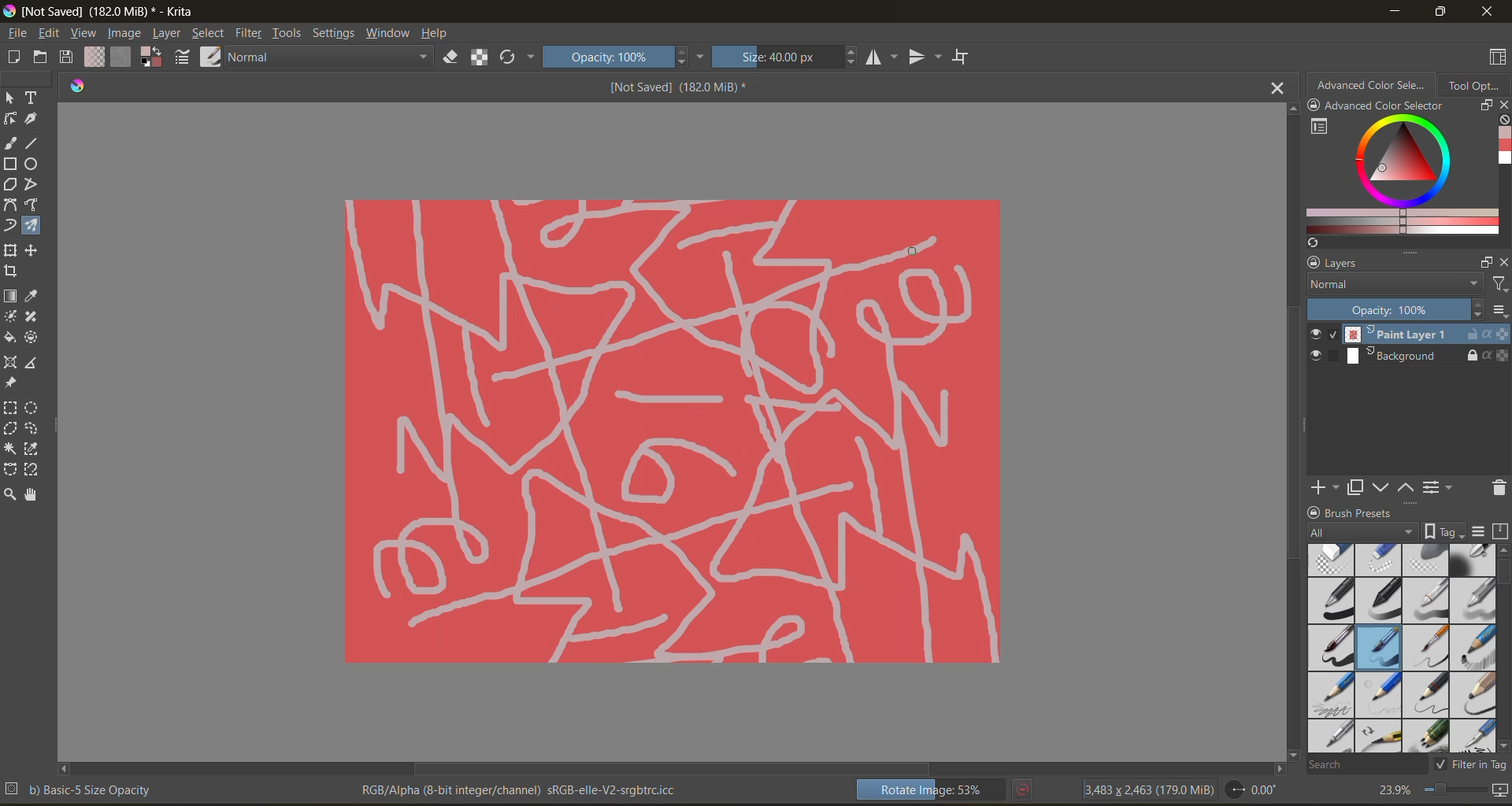  Describe the element at coordinates (1503, 105) in the screenshot. I see `close docker` at that location.